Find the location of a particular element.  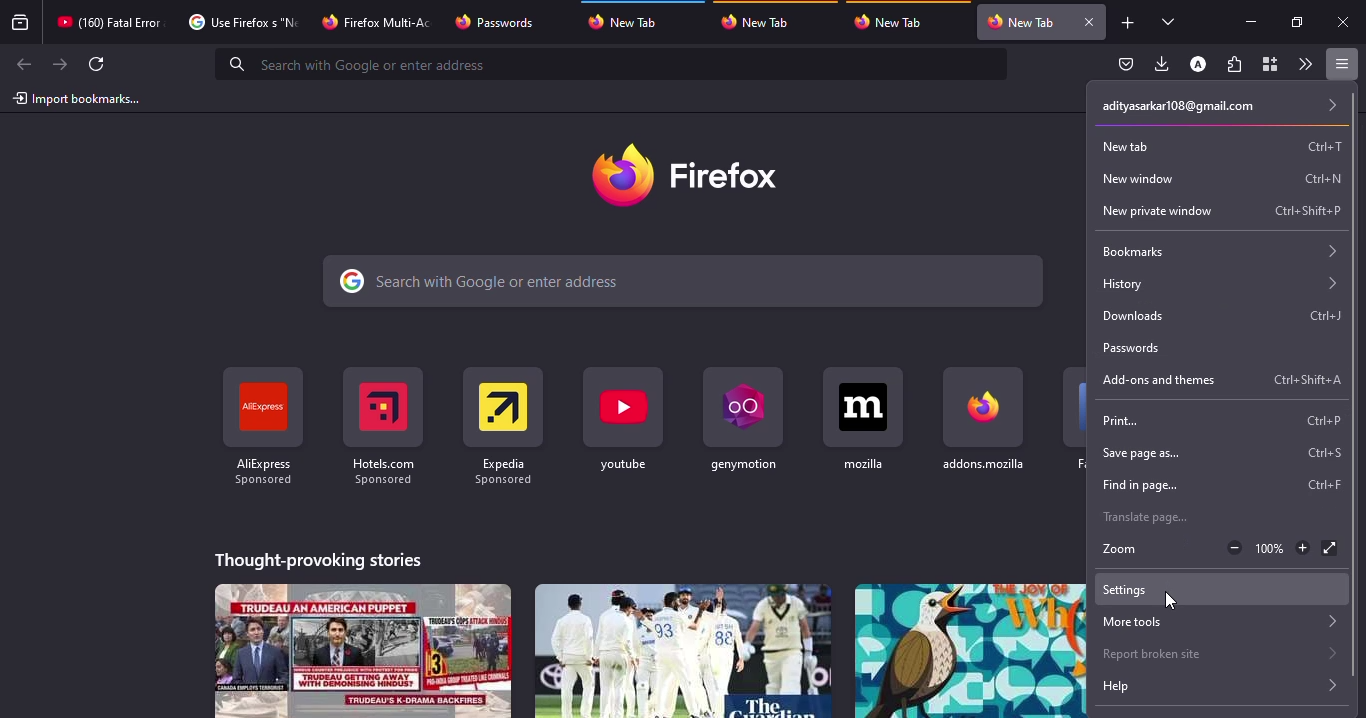

bookmarks is located at coordinates (1219, 252).